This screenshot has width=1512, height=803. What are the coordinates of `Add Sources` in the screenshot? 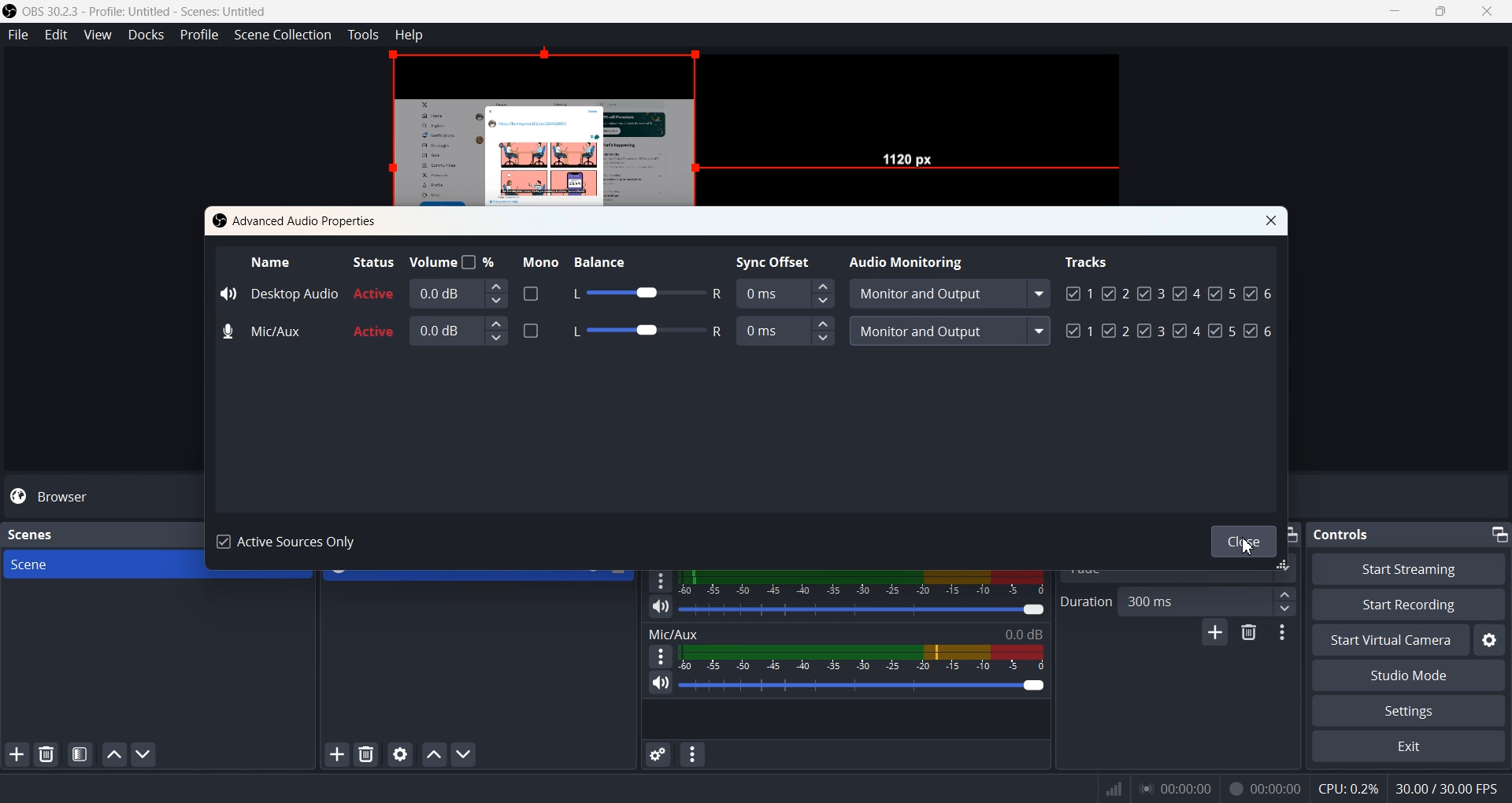 It's located at (337, 753).